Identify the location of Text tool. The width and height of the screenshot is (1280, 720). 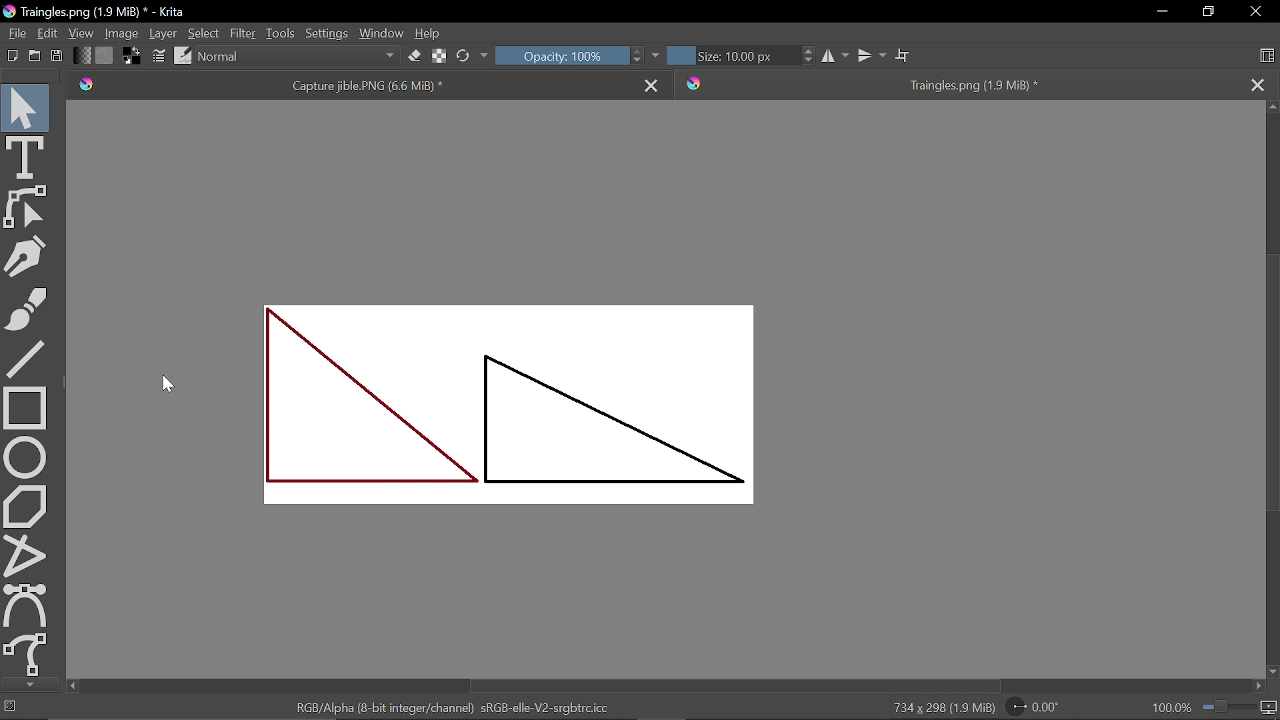
(27, 157).